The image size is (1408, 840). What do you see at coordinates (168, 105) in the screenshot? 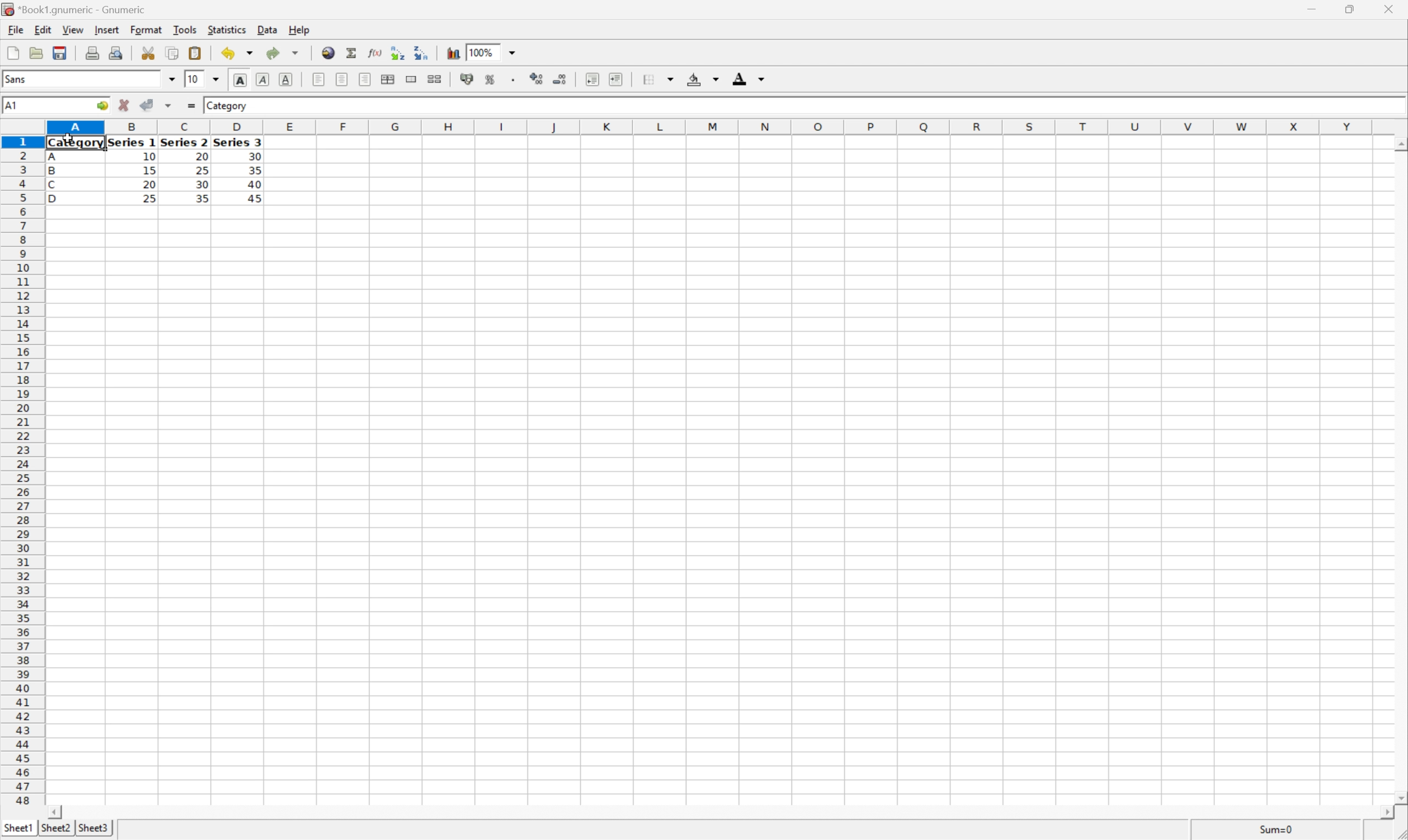
I see `Accept changes in multiple cells` at bounding box center [168, 105].